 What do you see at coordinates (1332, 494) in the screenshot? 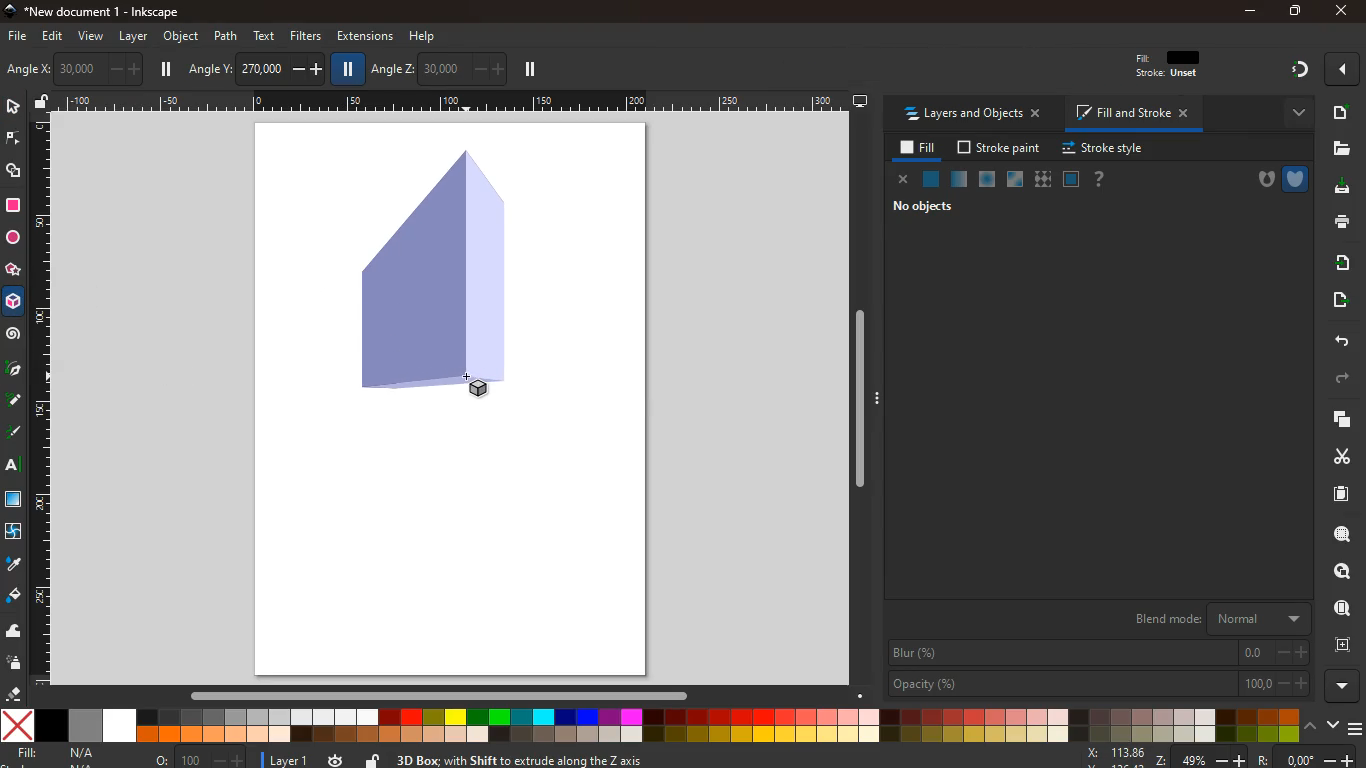
I see `paper` at bounding box center [1332, 494].